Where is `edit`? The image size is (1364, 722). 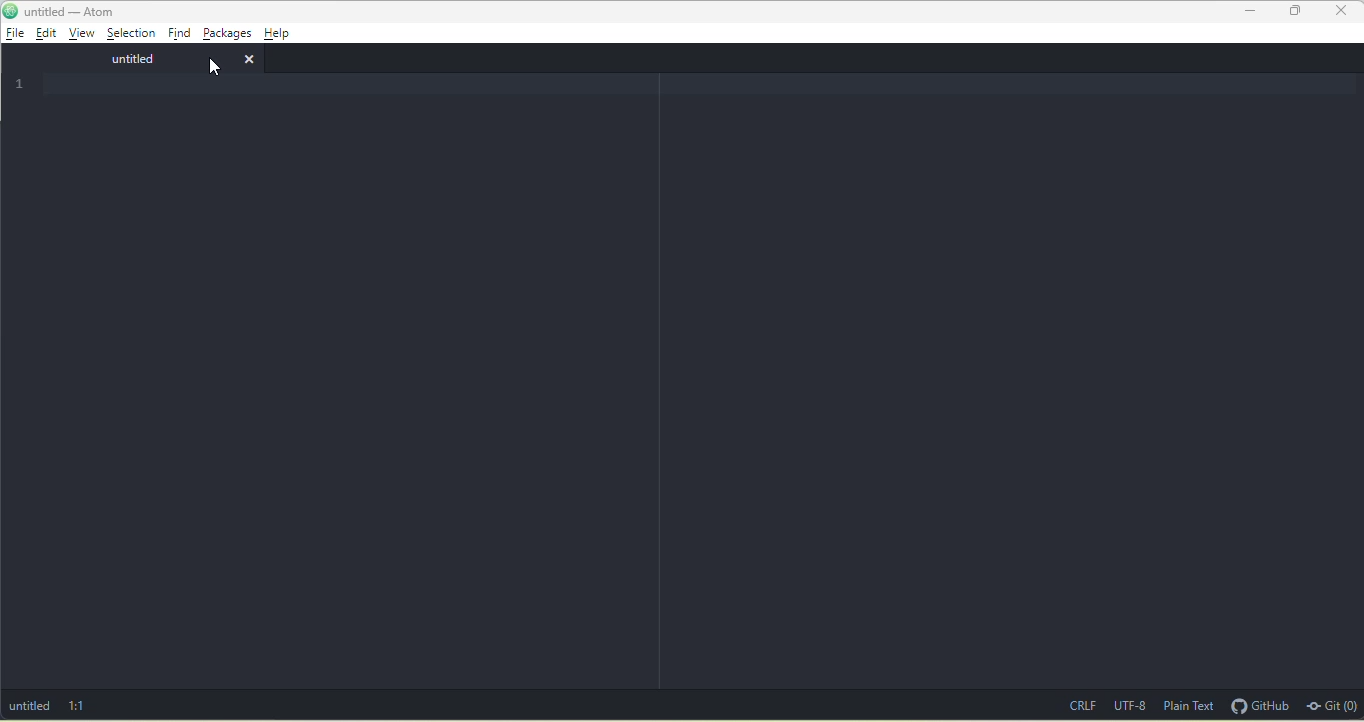 edit is located at coordinates (50, 35).